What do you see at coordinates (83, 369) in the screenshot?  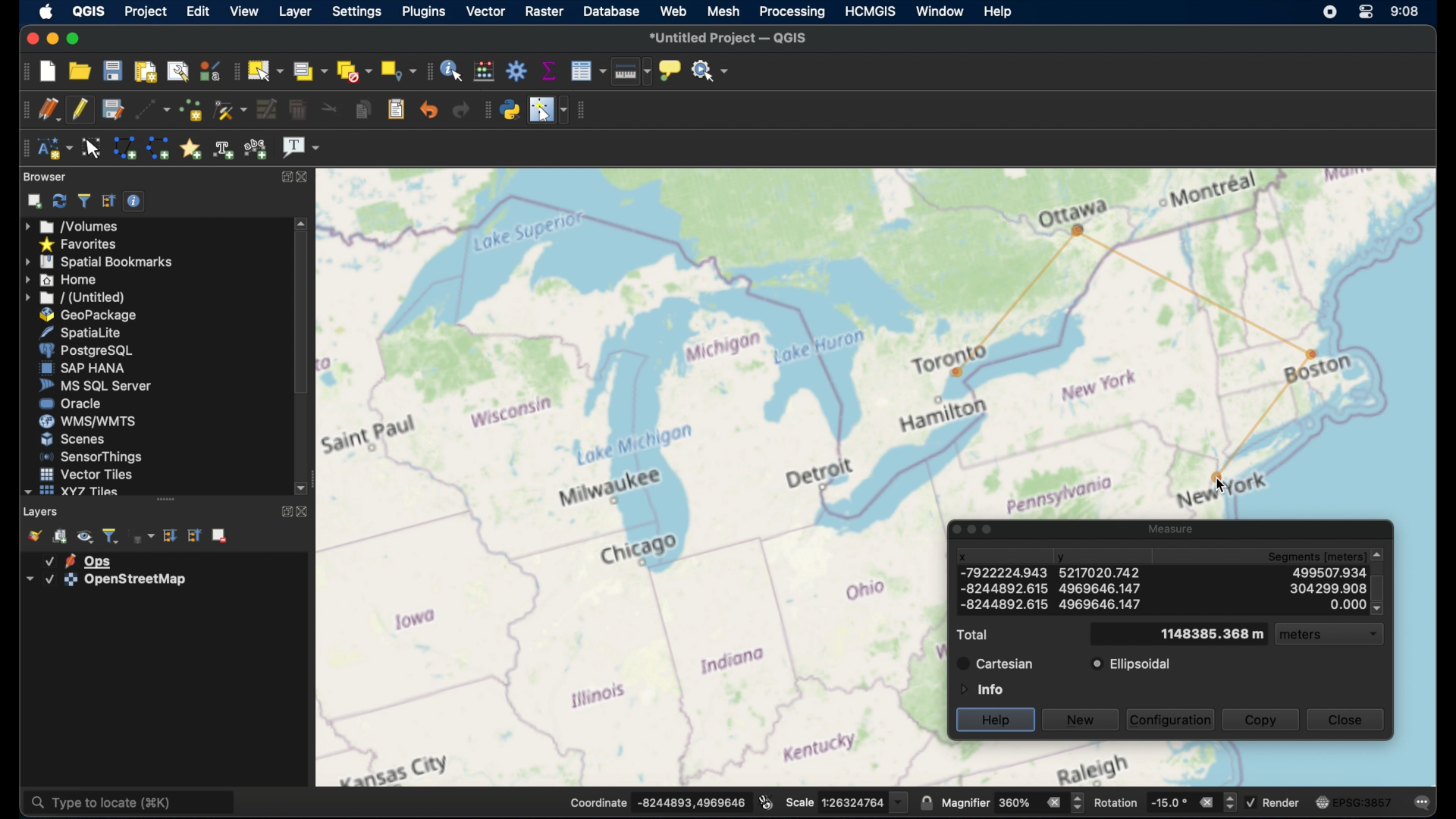 I see `sap hana` at bounding box center [83, 369].